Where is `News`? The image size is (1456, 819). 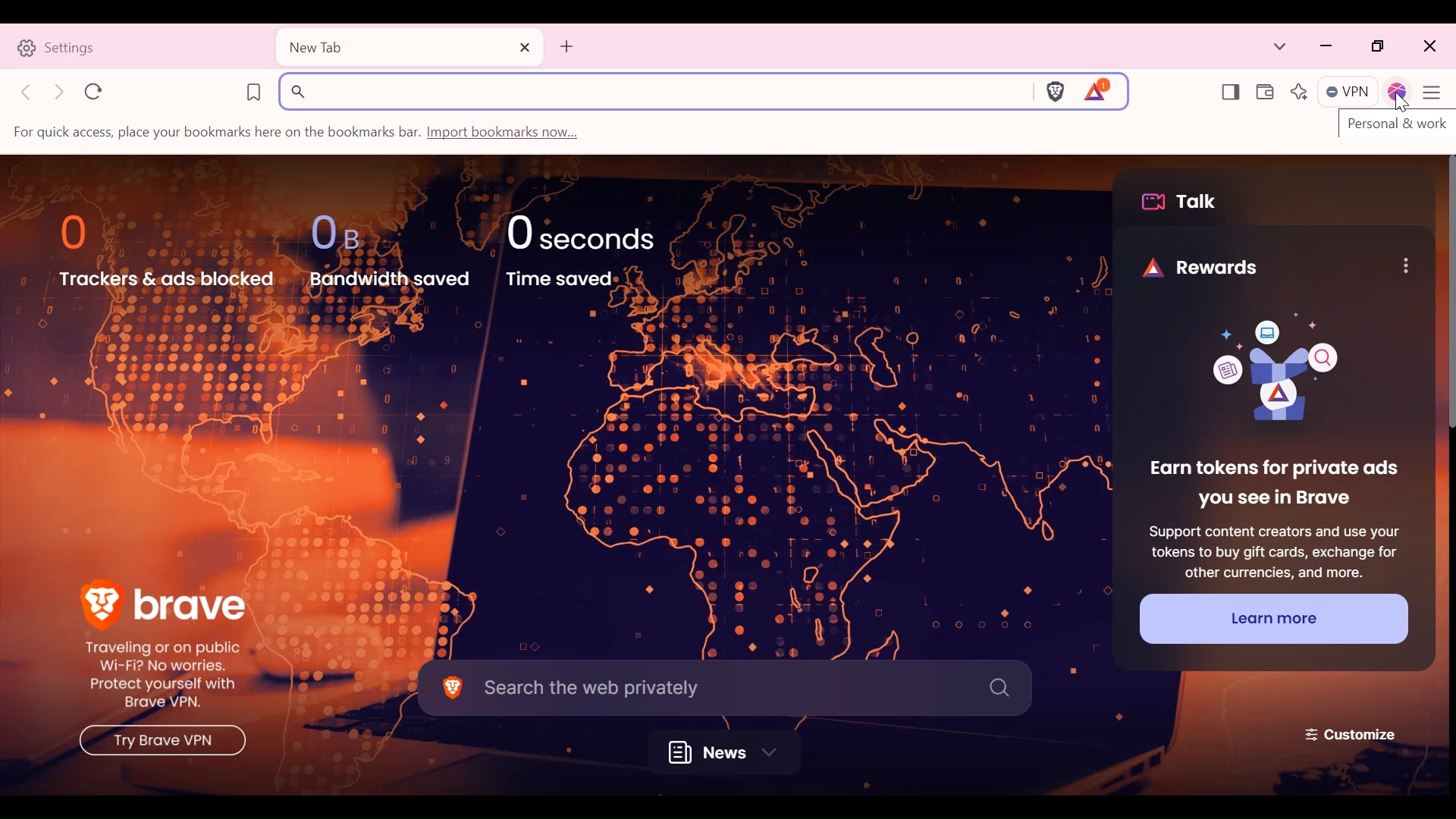 News is located at coordinates (730, 752).